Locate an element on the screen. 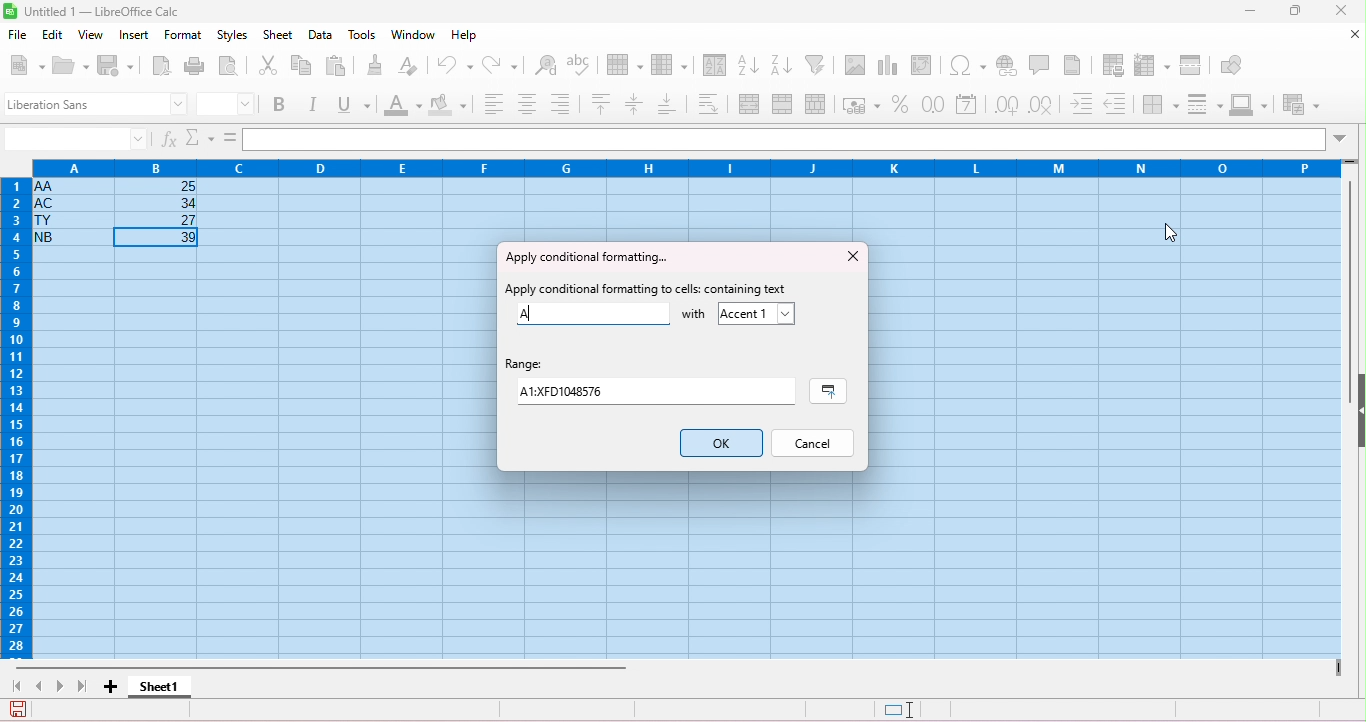  split  is located at coordinates (1193, 64).